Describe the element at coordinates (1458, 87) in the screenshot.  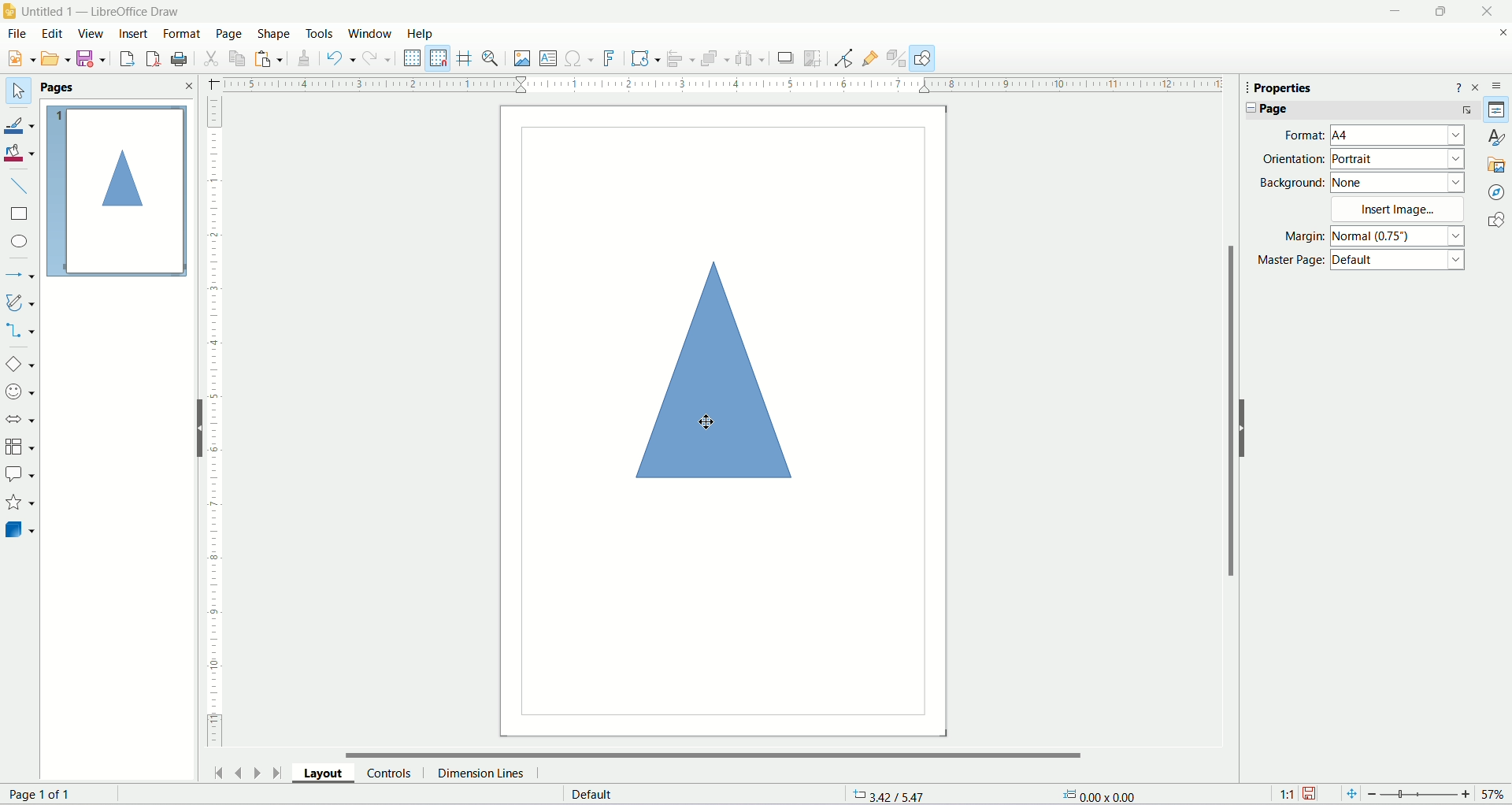
I see `Help about sidebar deck` at that location.